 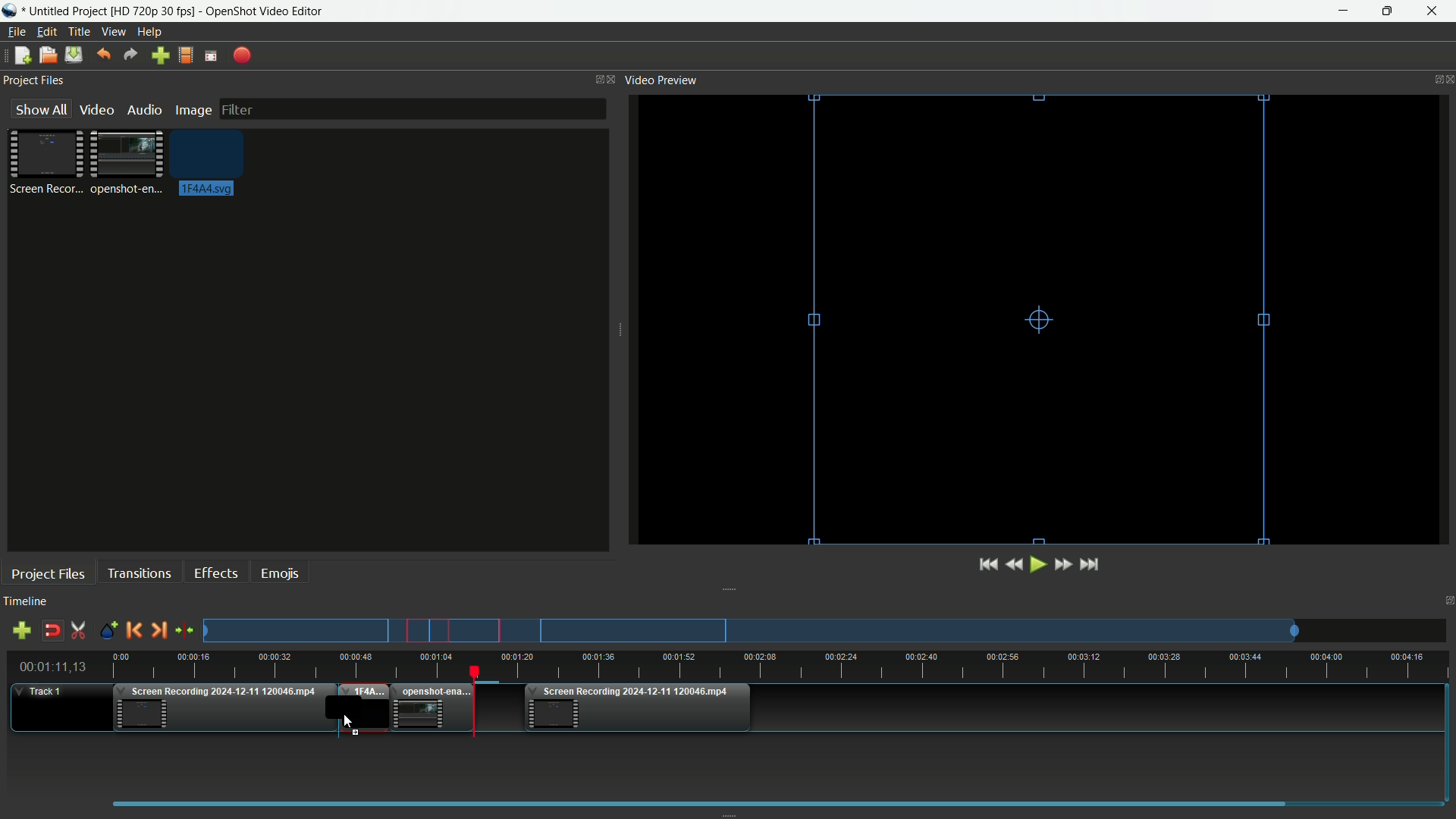 I want to click on Export, so click(x=243, y=56).